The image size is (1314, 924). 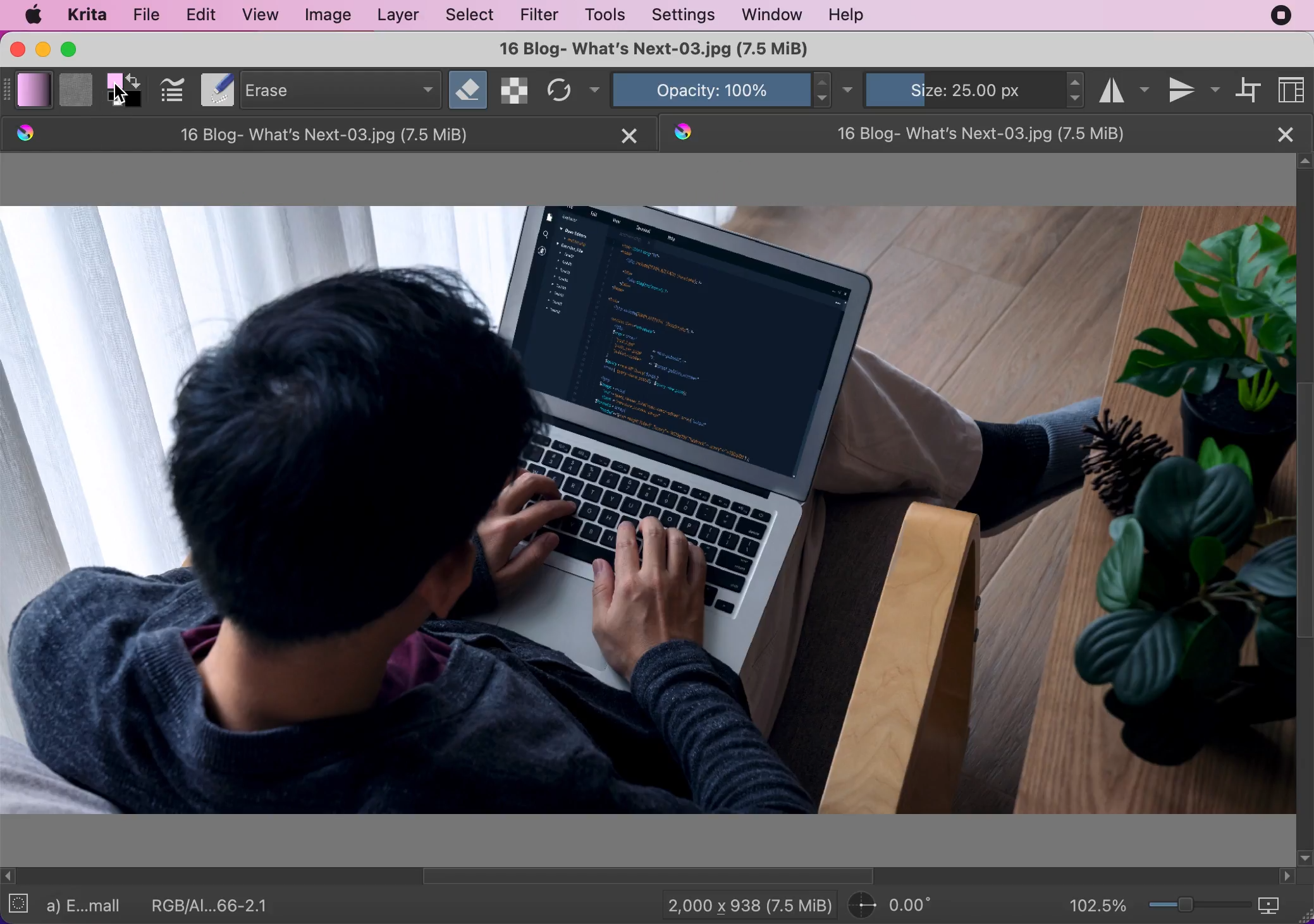 What do you see at coordinates (473, 15) in the screenshot?
I see `select` at bounding box center [473, 15].